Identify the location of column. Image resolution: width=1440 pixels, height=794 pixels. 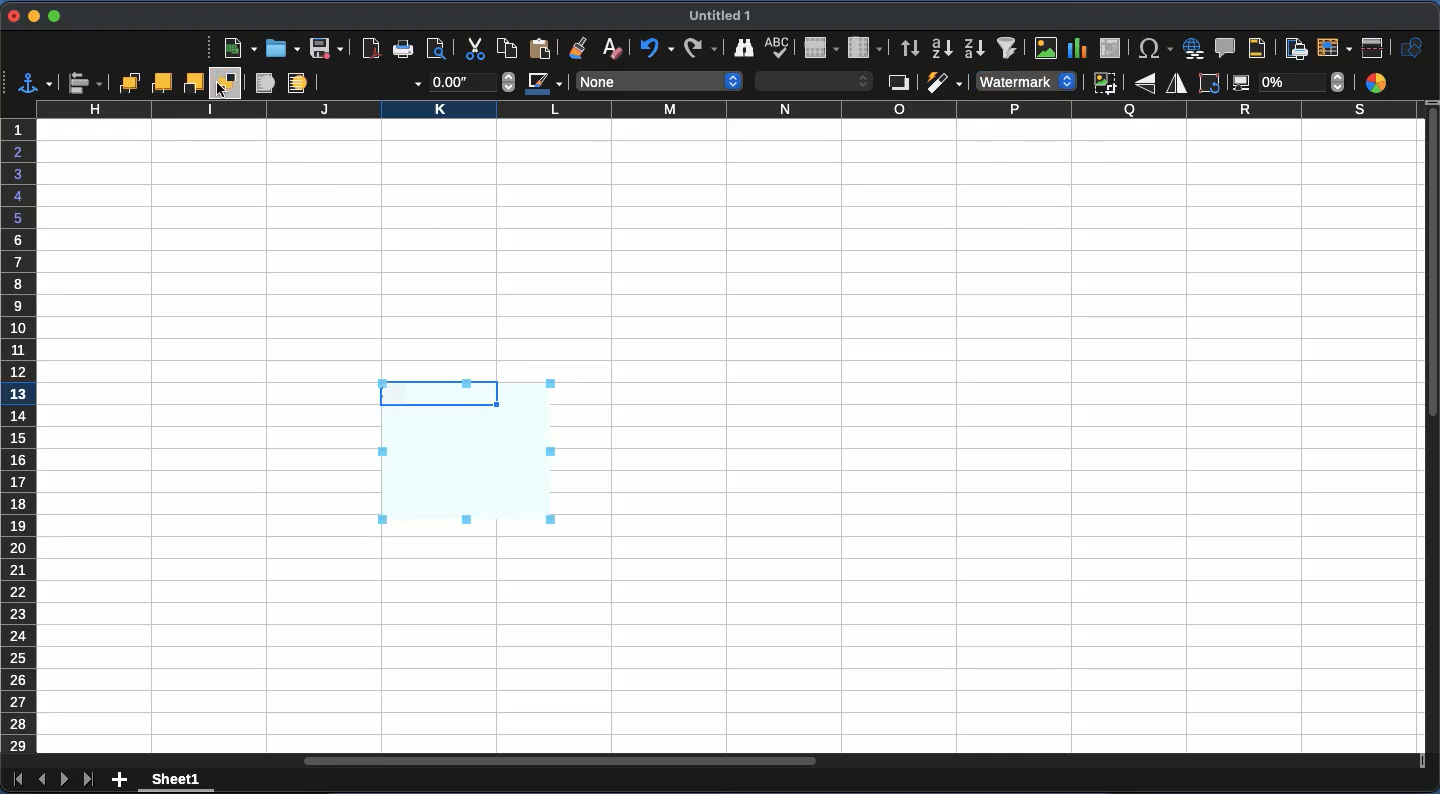
(866, 48).